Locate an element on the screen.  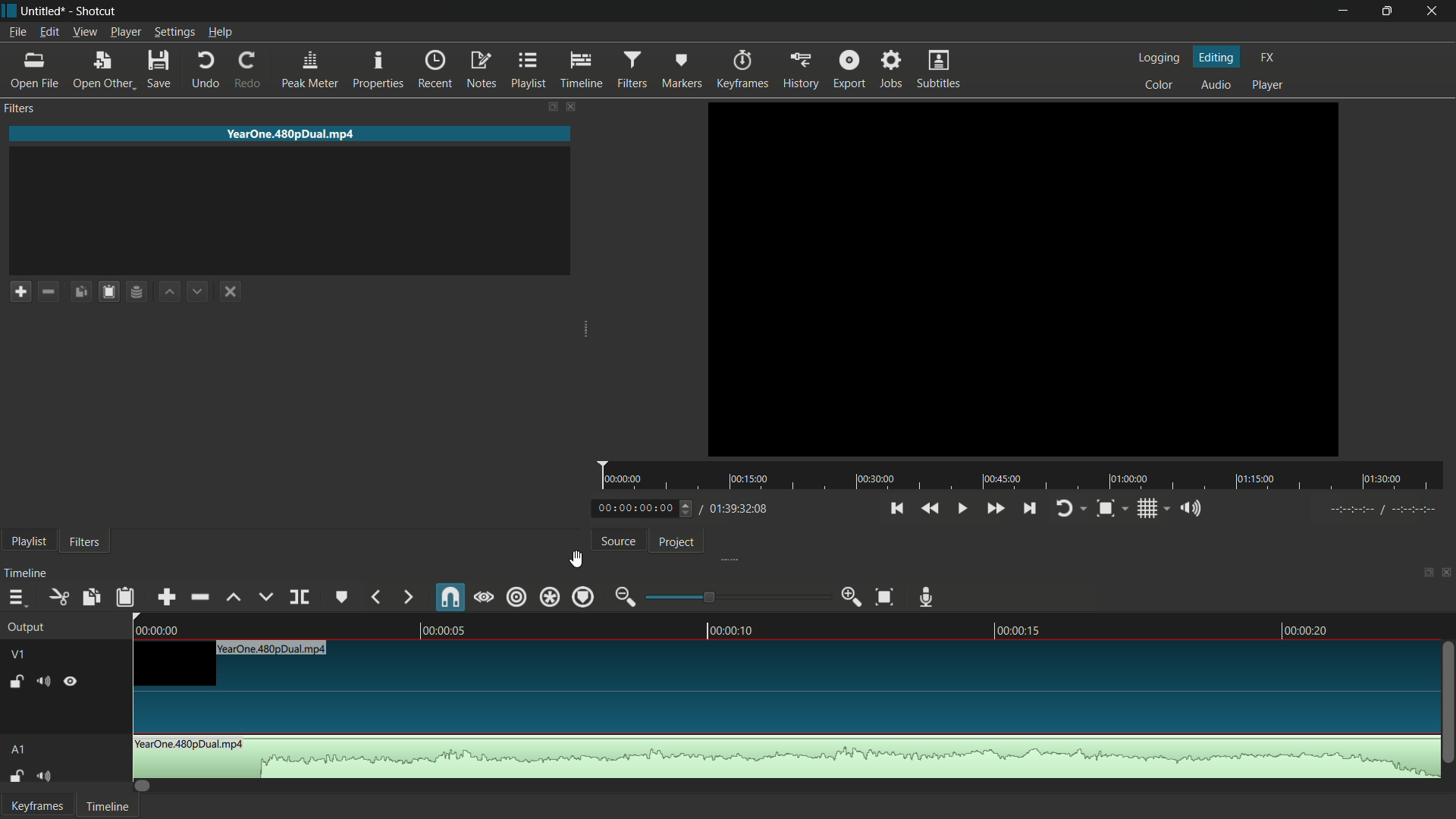
Track is located at coordinates (785, 685).